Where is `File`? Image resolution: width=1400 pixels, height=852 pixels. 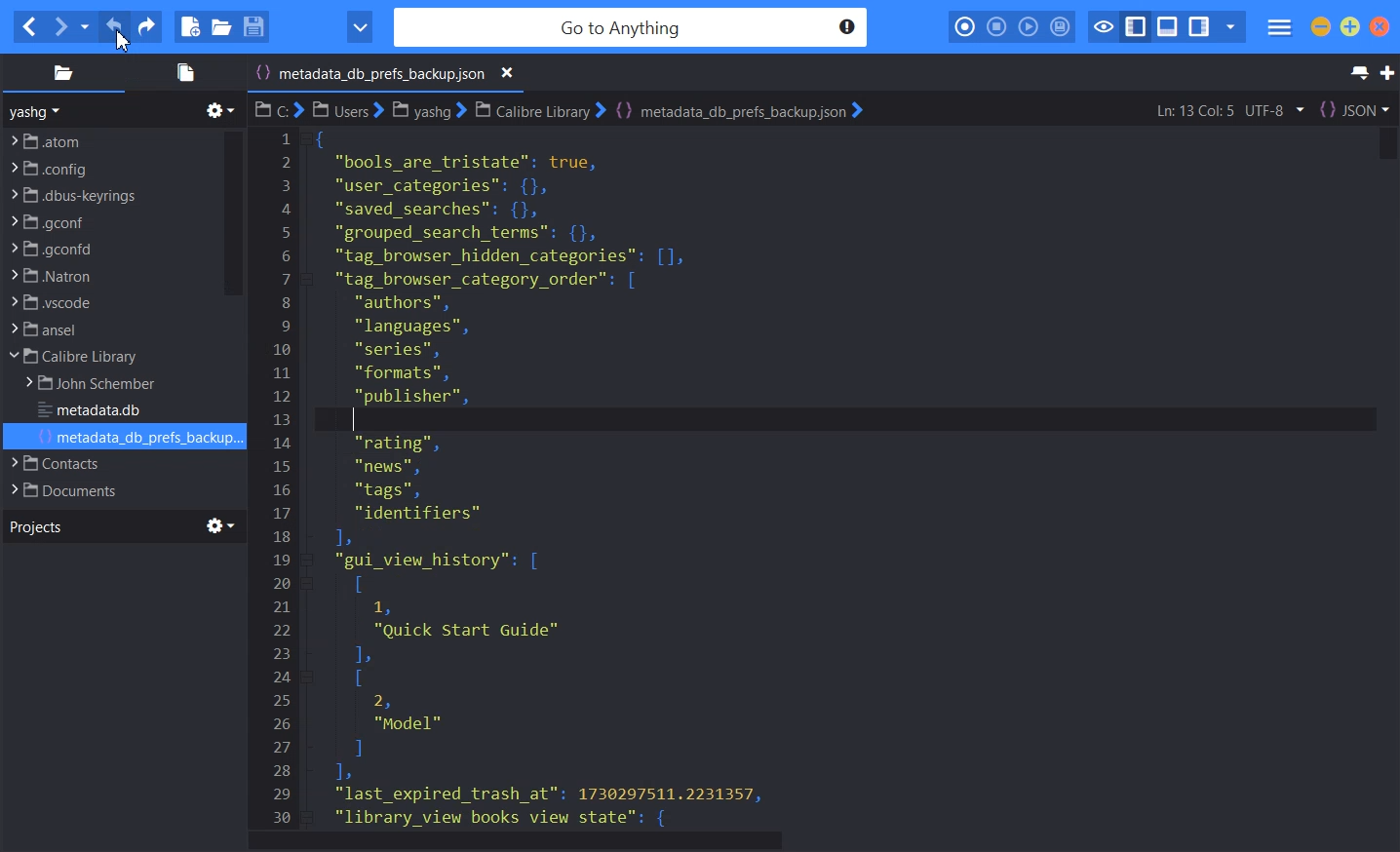
File is located at coordinates (105, 463).